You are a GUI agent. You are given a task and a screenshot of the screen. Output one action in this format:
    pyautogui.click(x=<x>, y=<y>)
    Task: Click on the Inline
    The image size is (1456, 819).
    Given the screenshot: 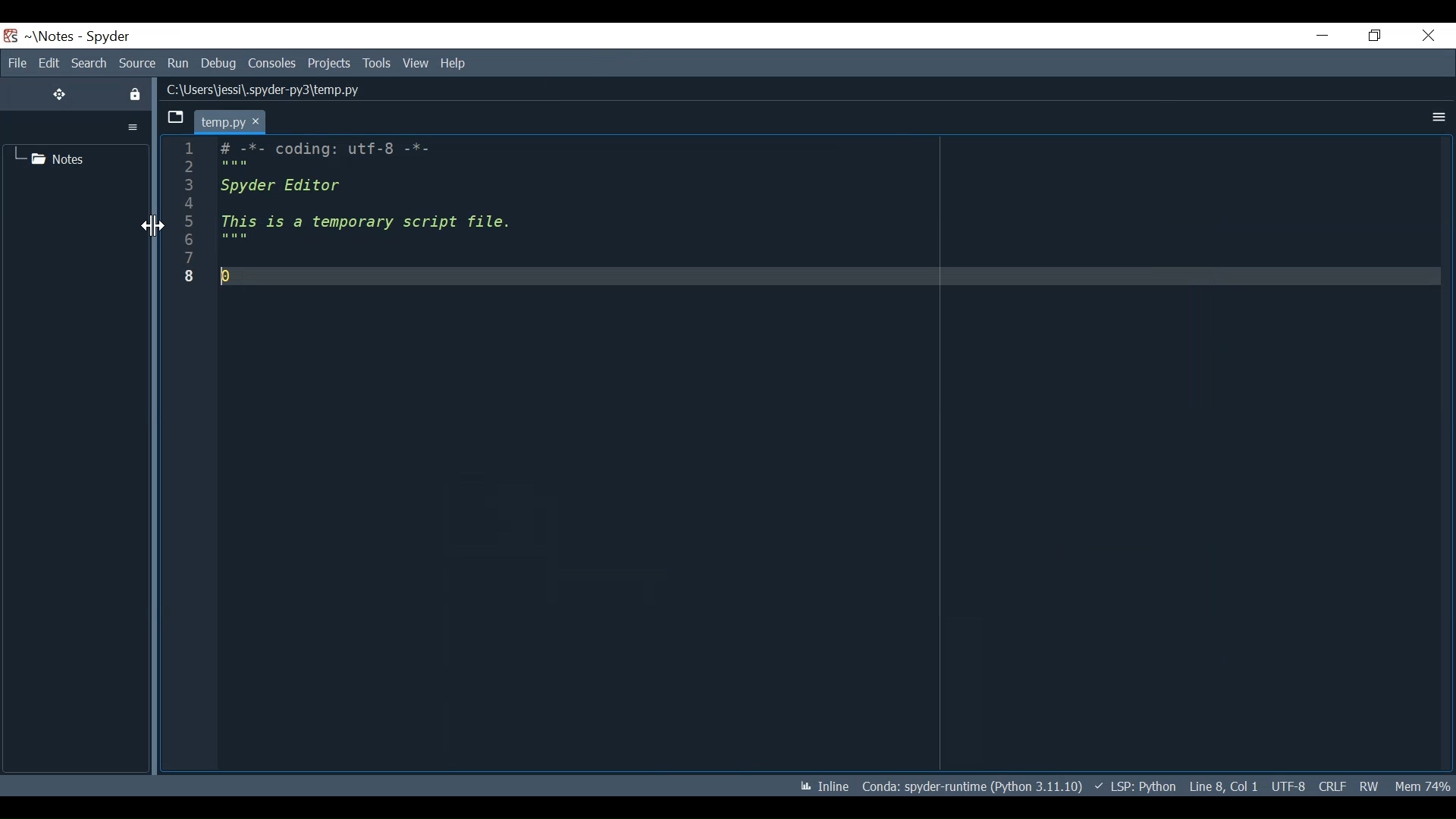 What is the action you would take?
    pyautogui.click(x=820, y=783)
    